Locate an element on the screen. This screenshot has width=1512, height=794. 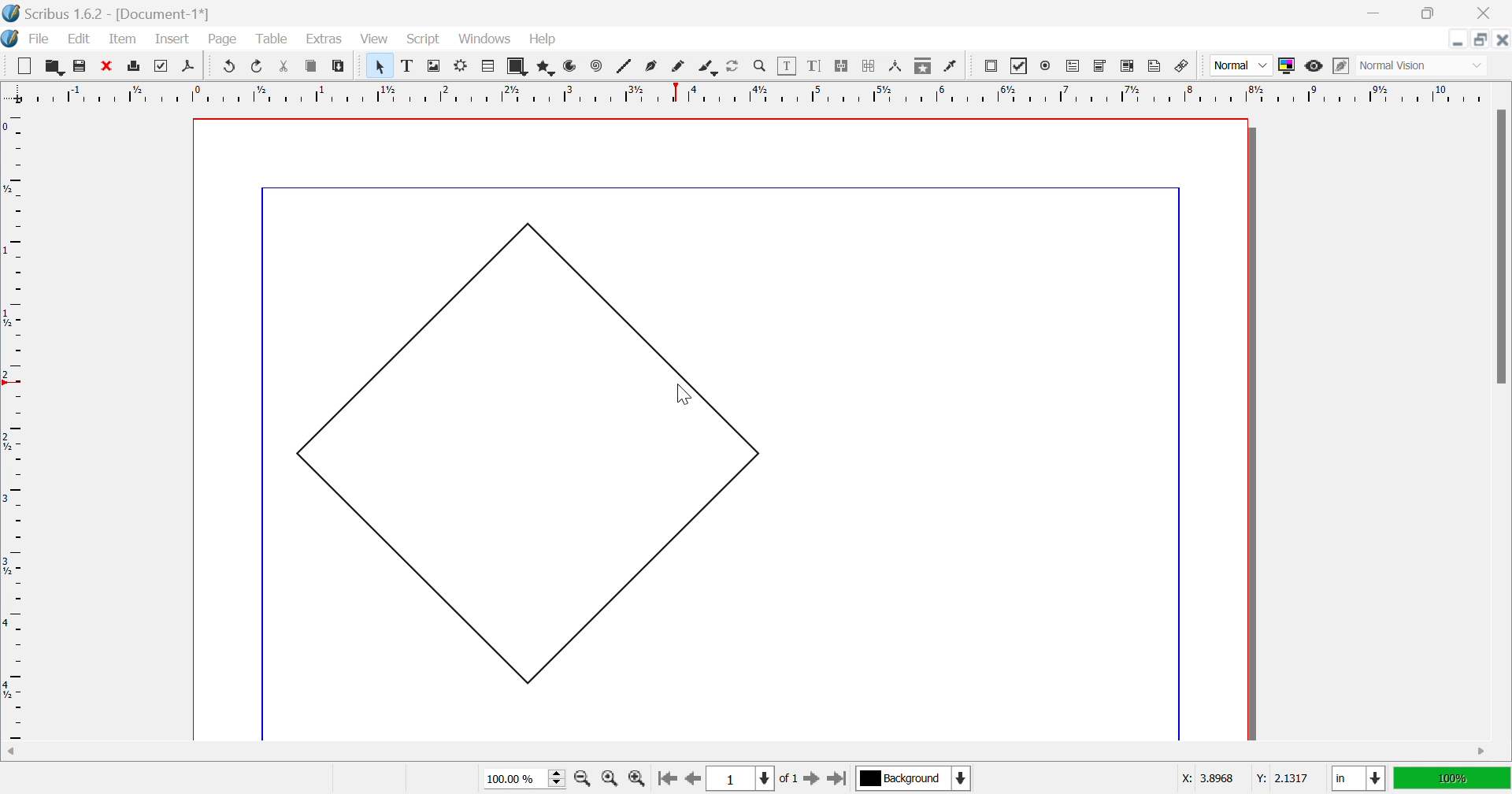
Y: 2.1317 is located at coordinates (1280, 778).